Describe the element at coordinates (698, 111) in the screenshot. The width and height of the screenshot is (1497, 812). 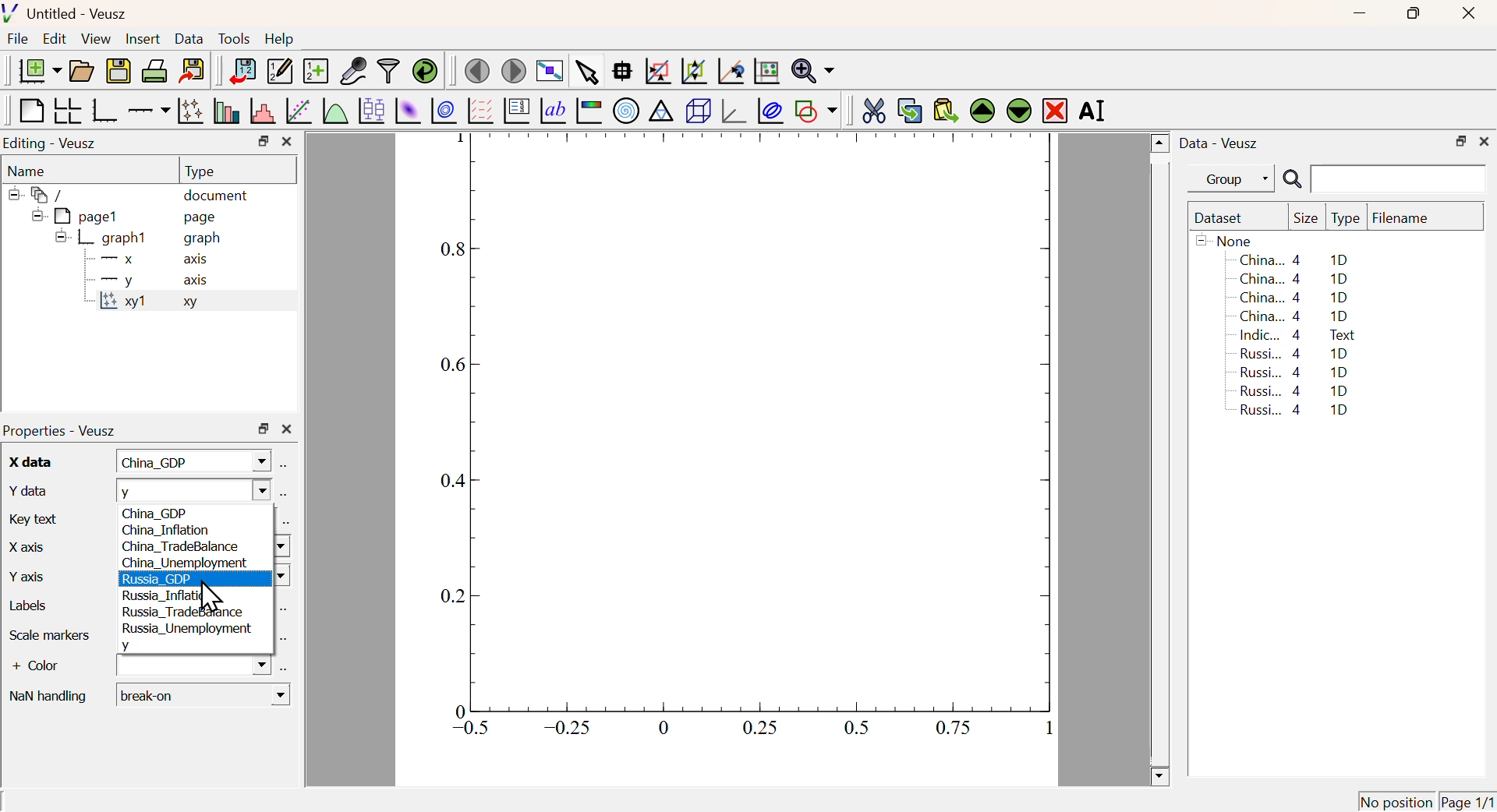
I see `3D Scene` at that location.